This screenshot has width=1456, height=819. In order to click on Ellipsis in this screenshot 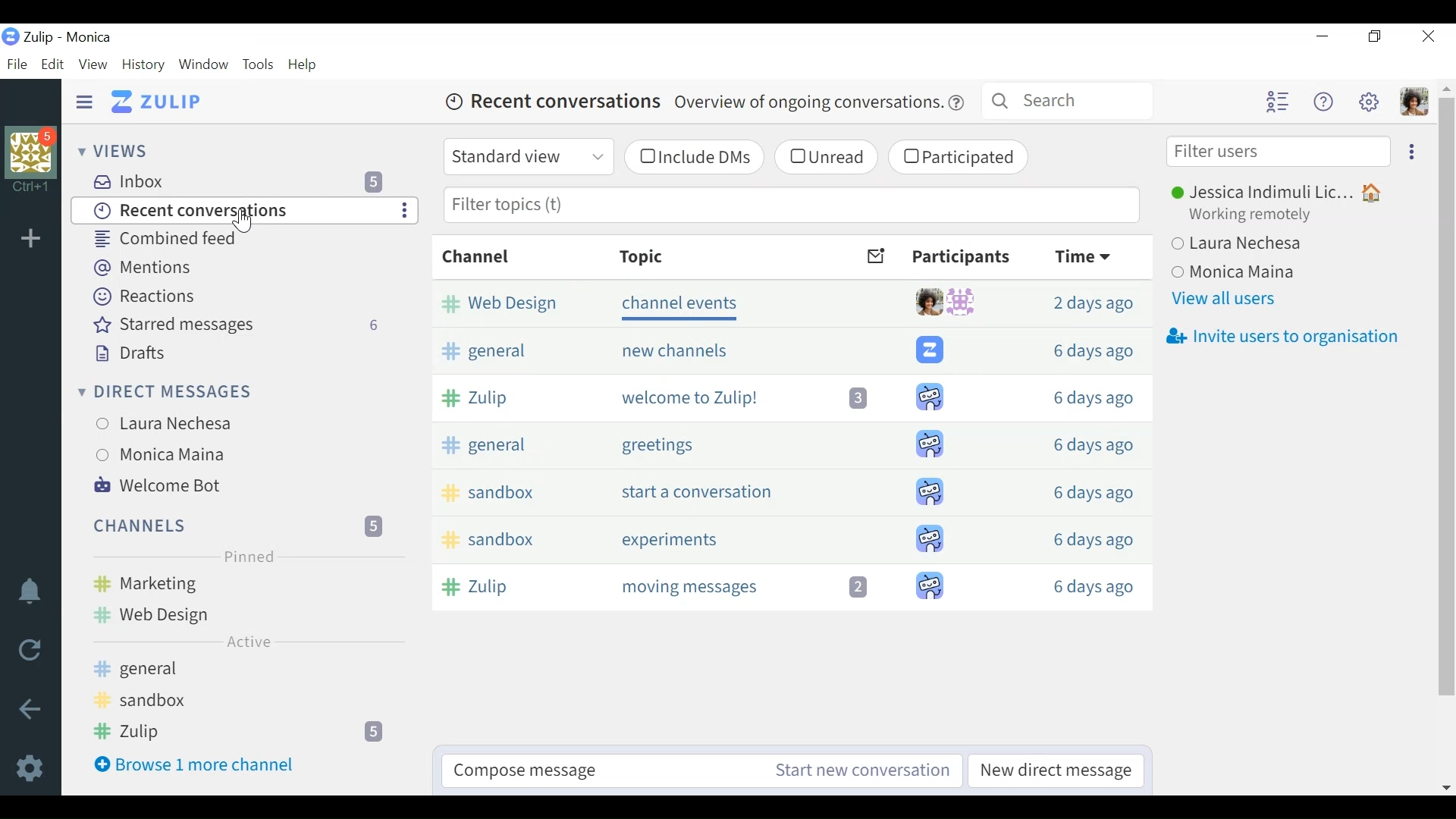, I will do `click(406, 211)`.